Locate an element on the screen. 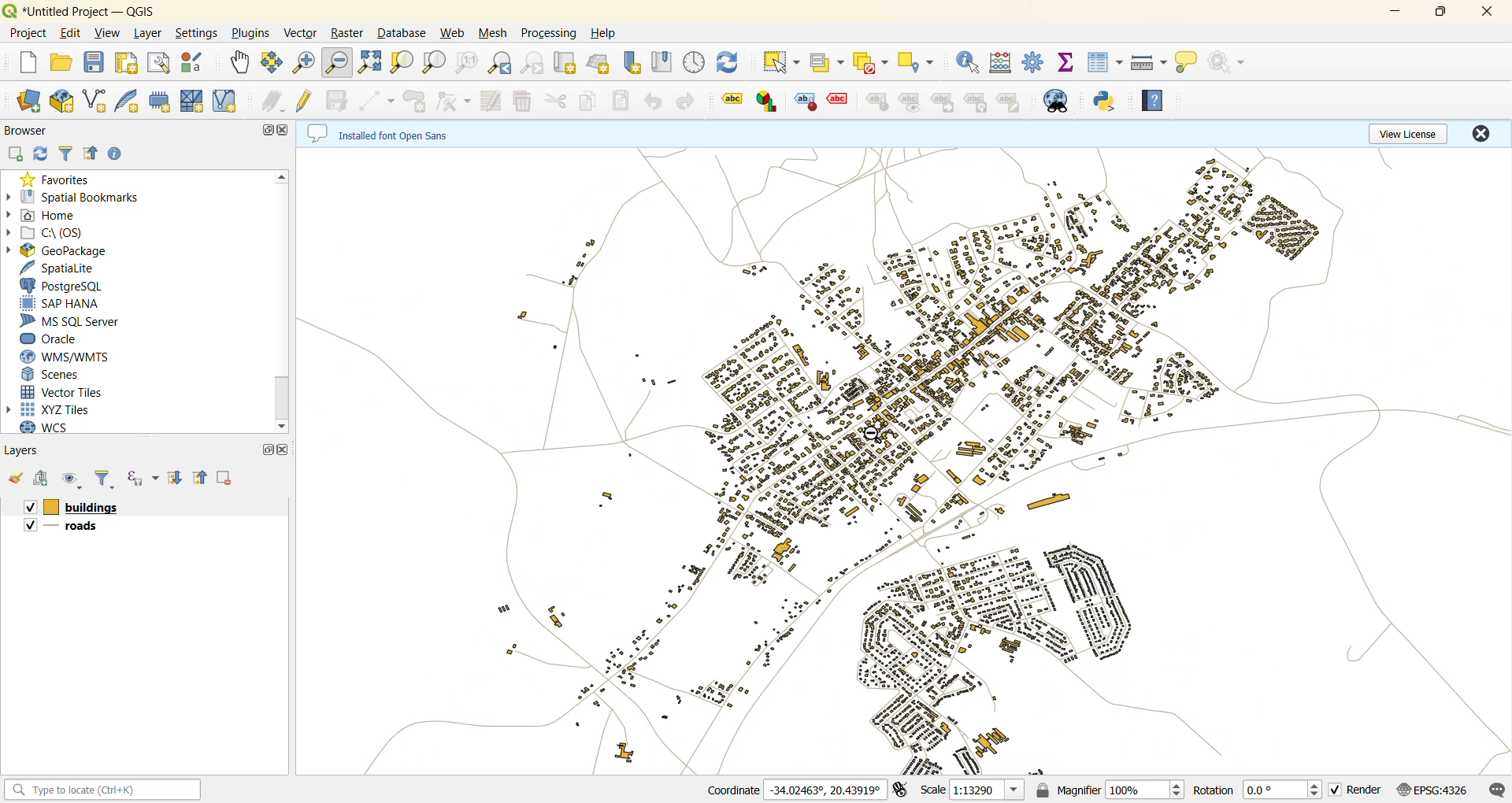  web is located at coordinates (456, 35).